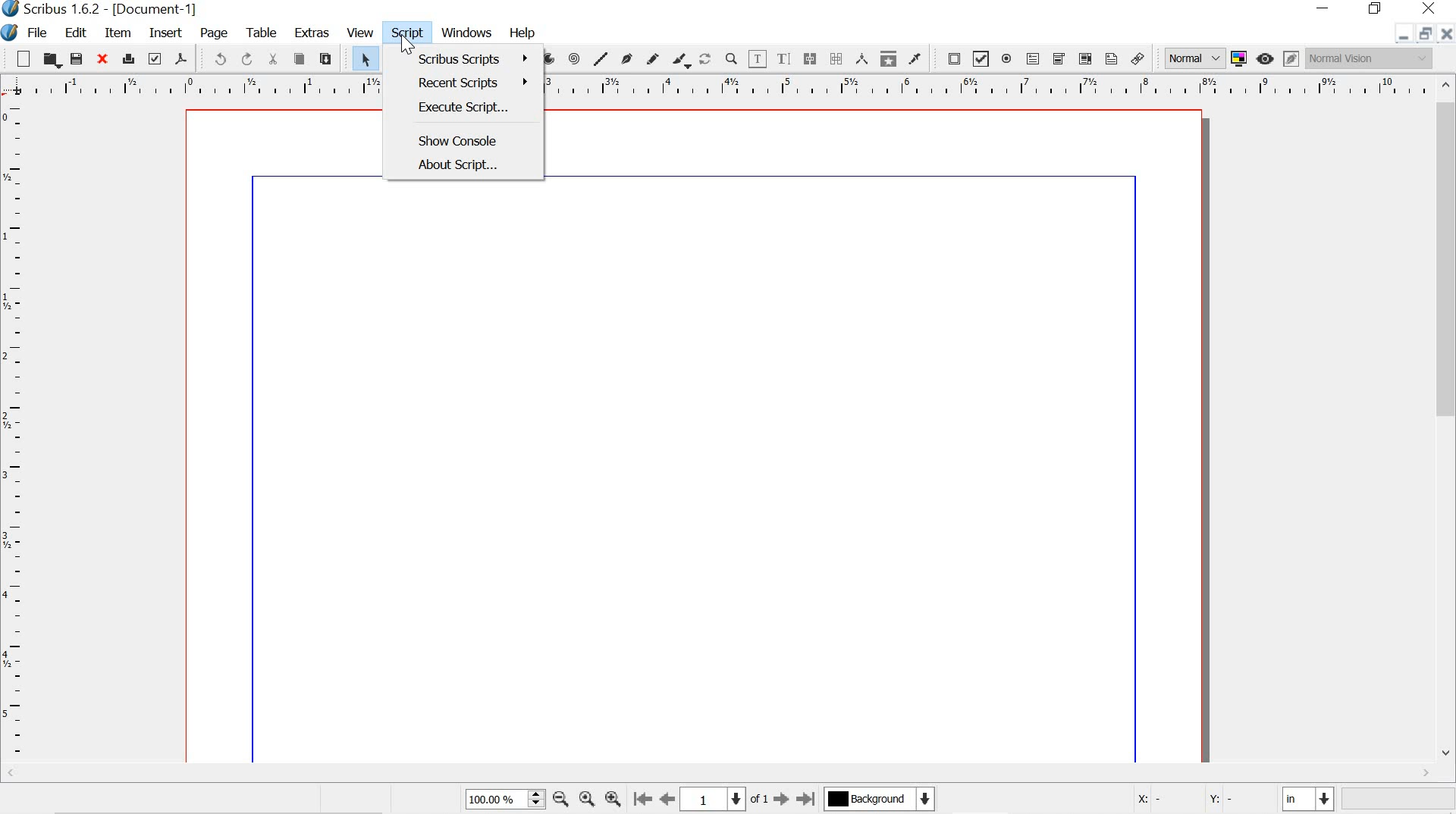 The height and width of the screenshot is (814, 1456). Describe the element at coordinates (325, 58) in the screenshot. I see `paste` at that location.